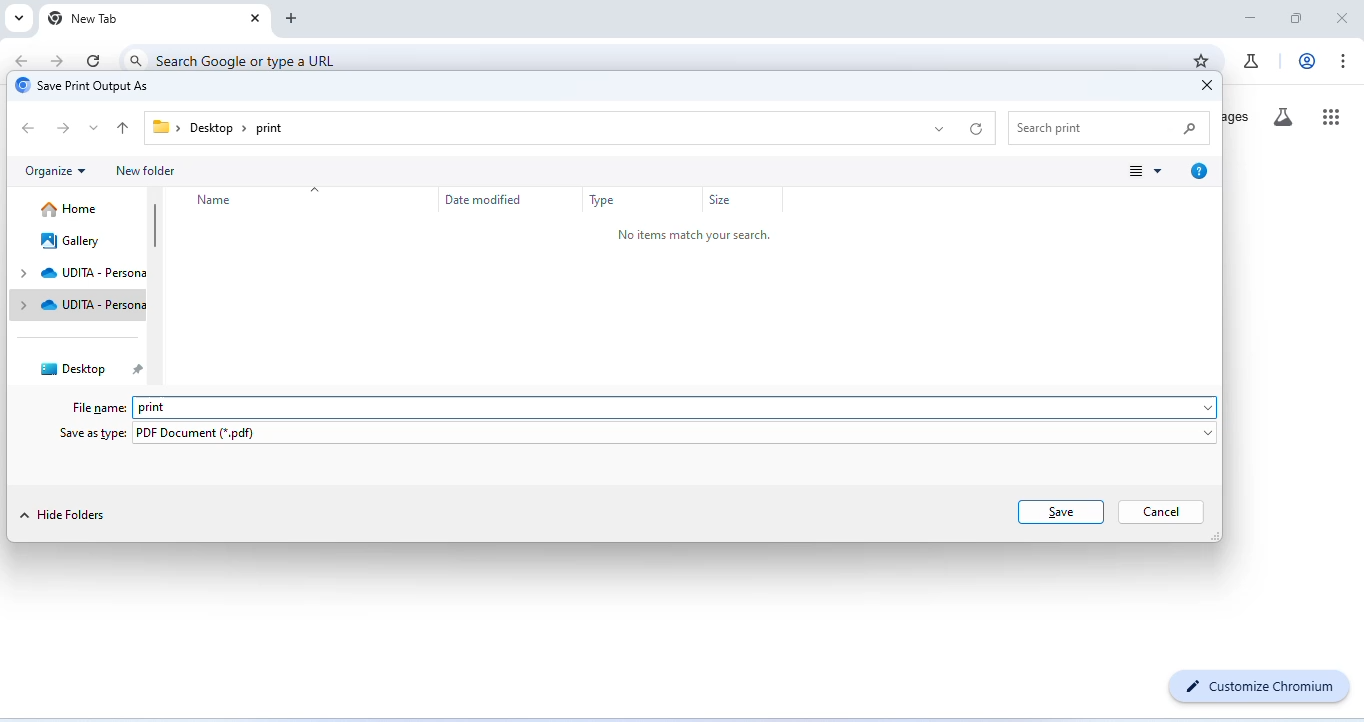 This screenshot has height=722, width=1364. Describe the element at coordinates (159, 407) in the screenshot. I see `print` at that location.